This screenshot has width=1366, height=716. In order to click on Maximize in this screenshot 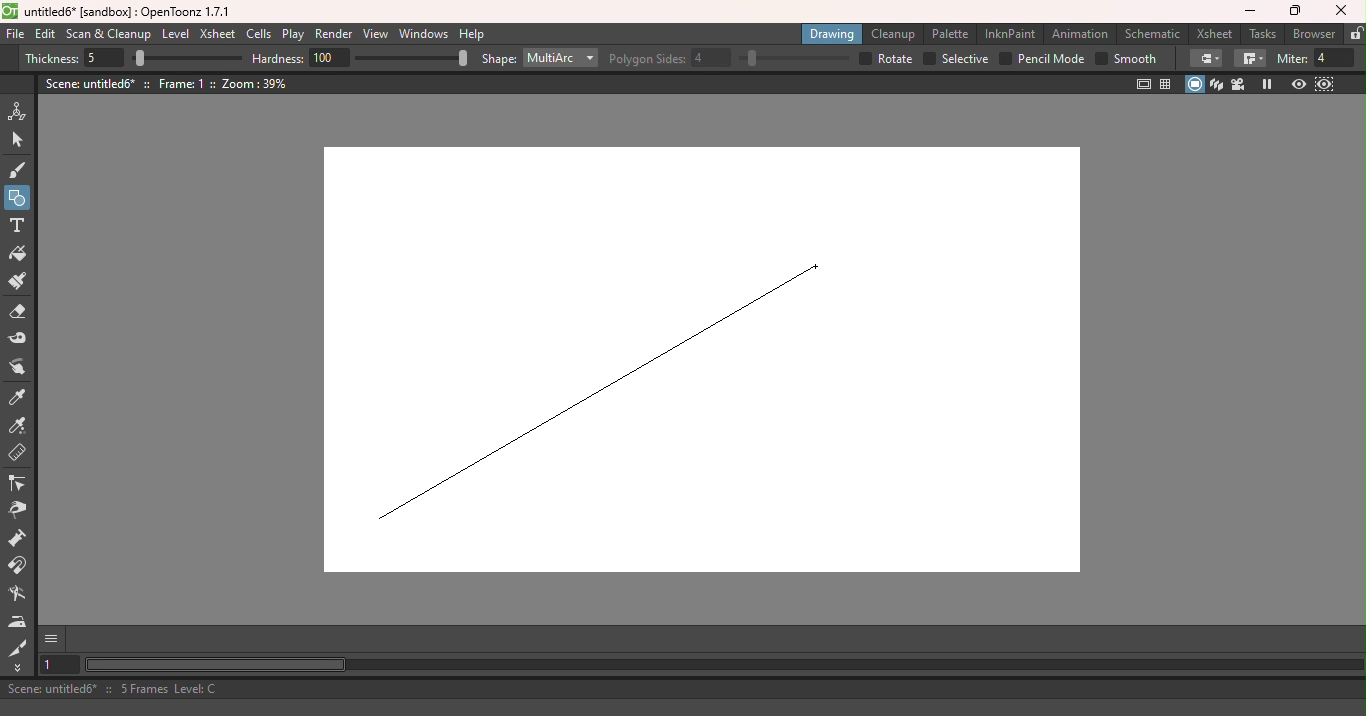, I will do `click(1292, 13)`.